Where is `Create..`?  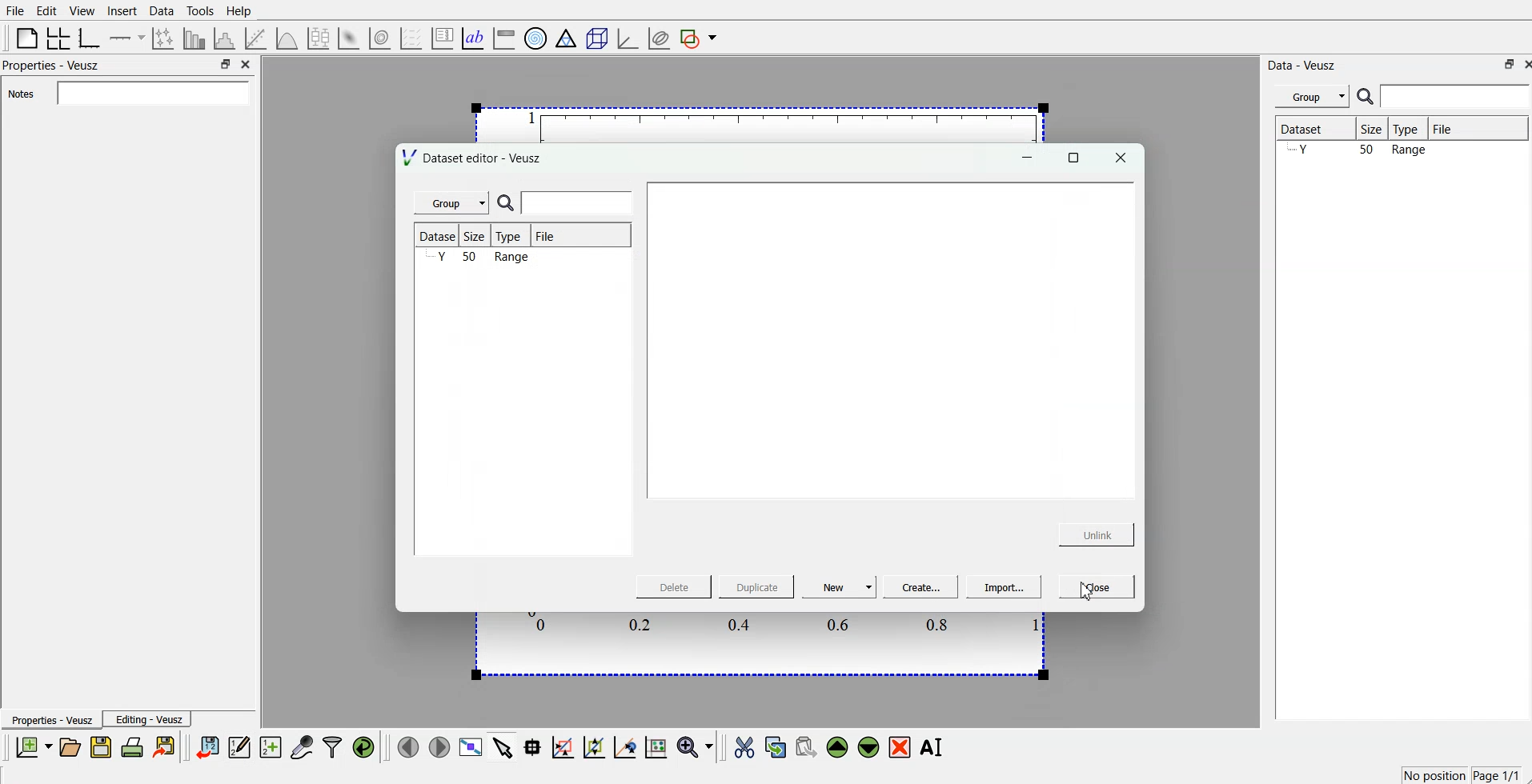 Create.. is located at coordinates (921, 586).